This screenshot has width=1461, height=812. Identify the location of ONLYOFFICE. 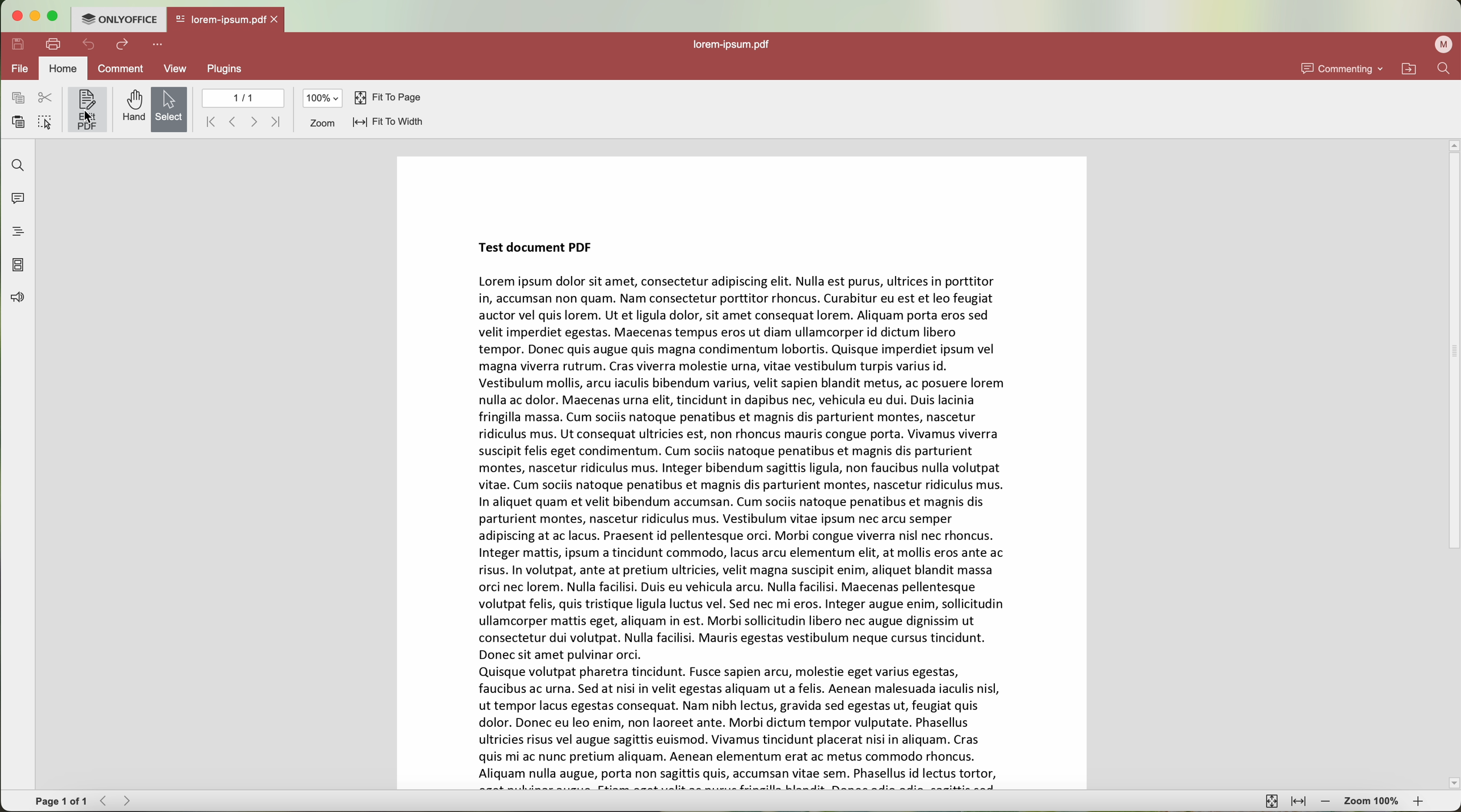
(118, 19).